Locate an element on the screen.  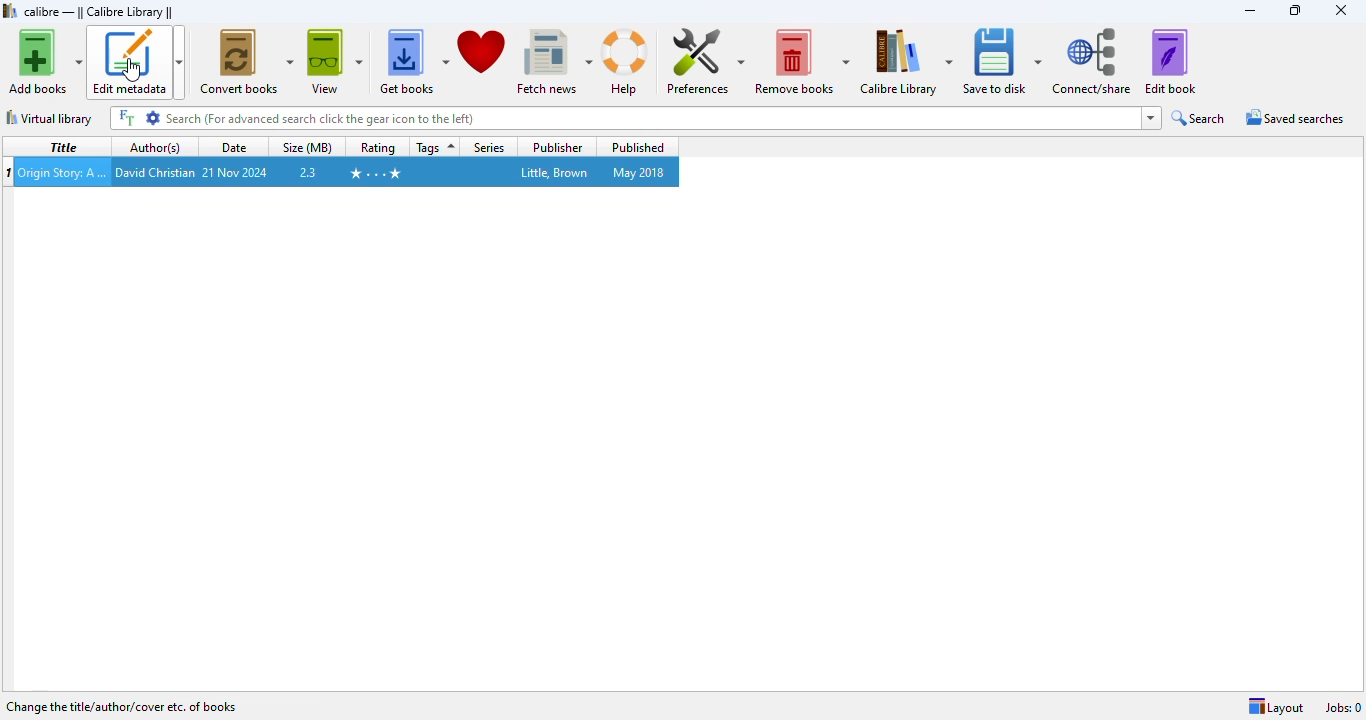
edit metadata is located at coordinates (137, 61).